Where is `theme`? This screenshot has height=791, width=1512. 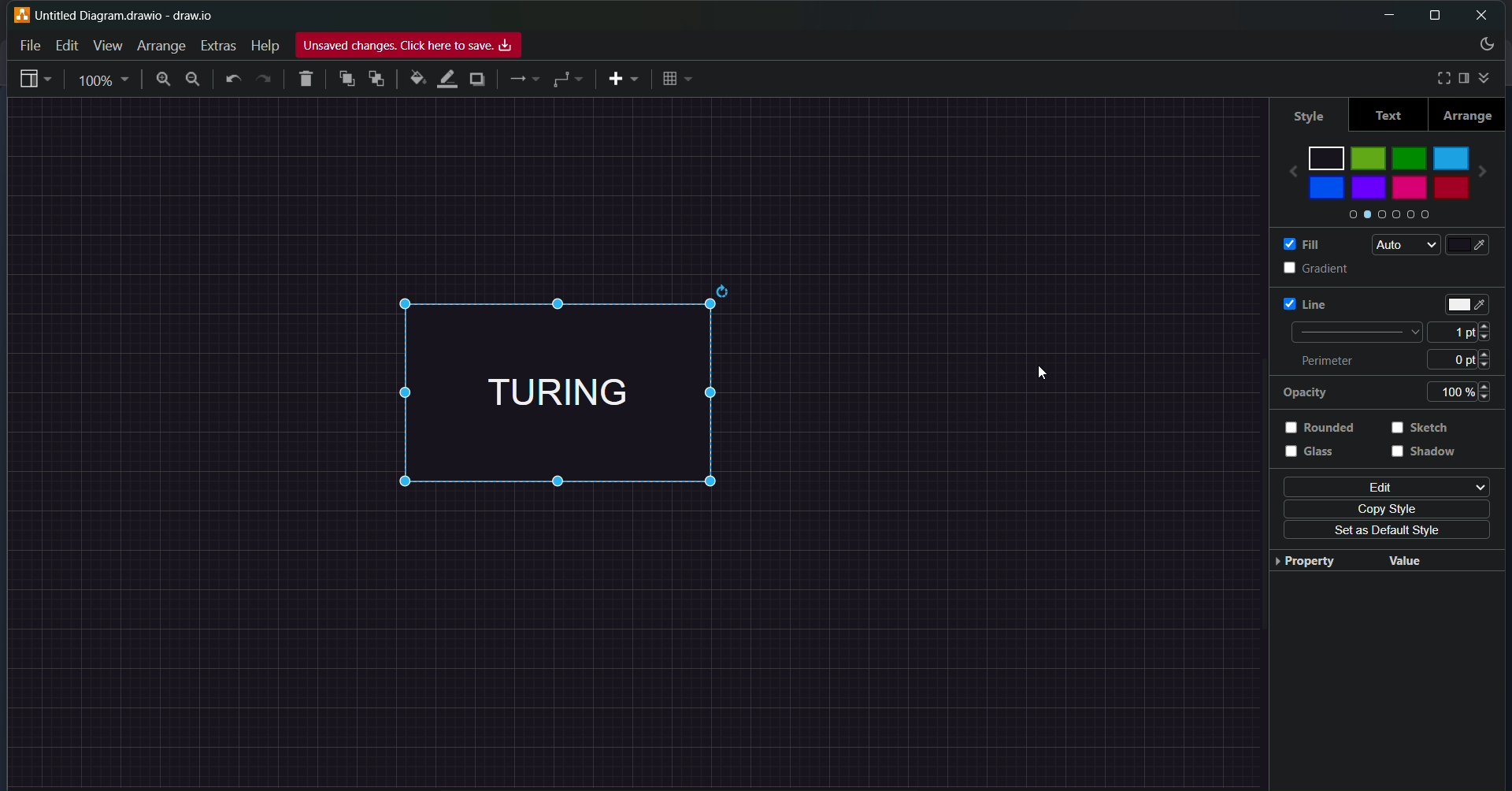
theme is located at coordinates (1485, 46).